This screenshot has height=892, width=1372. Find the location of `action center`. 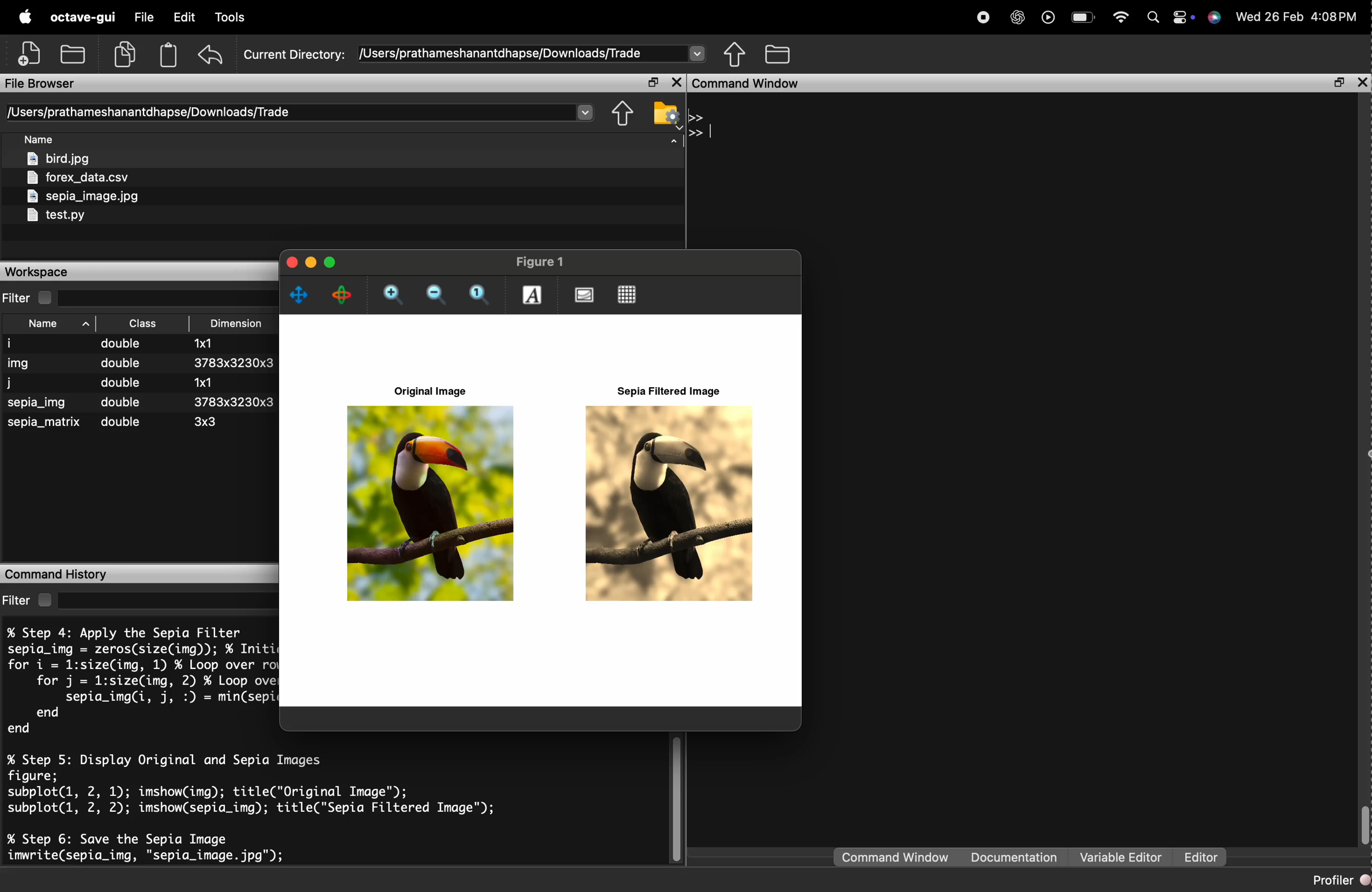

action center is located at coordinates (1185, 18).